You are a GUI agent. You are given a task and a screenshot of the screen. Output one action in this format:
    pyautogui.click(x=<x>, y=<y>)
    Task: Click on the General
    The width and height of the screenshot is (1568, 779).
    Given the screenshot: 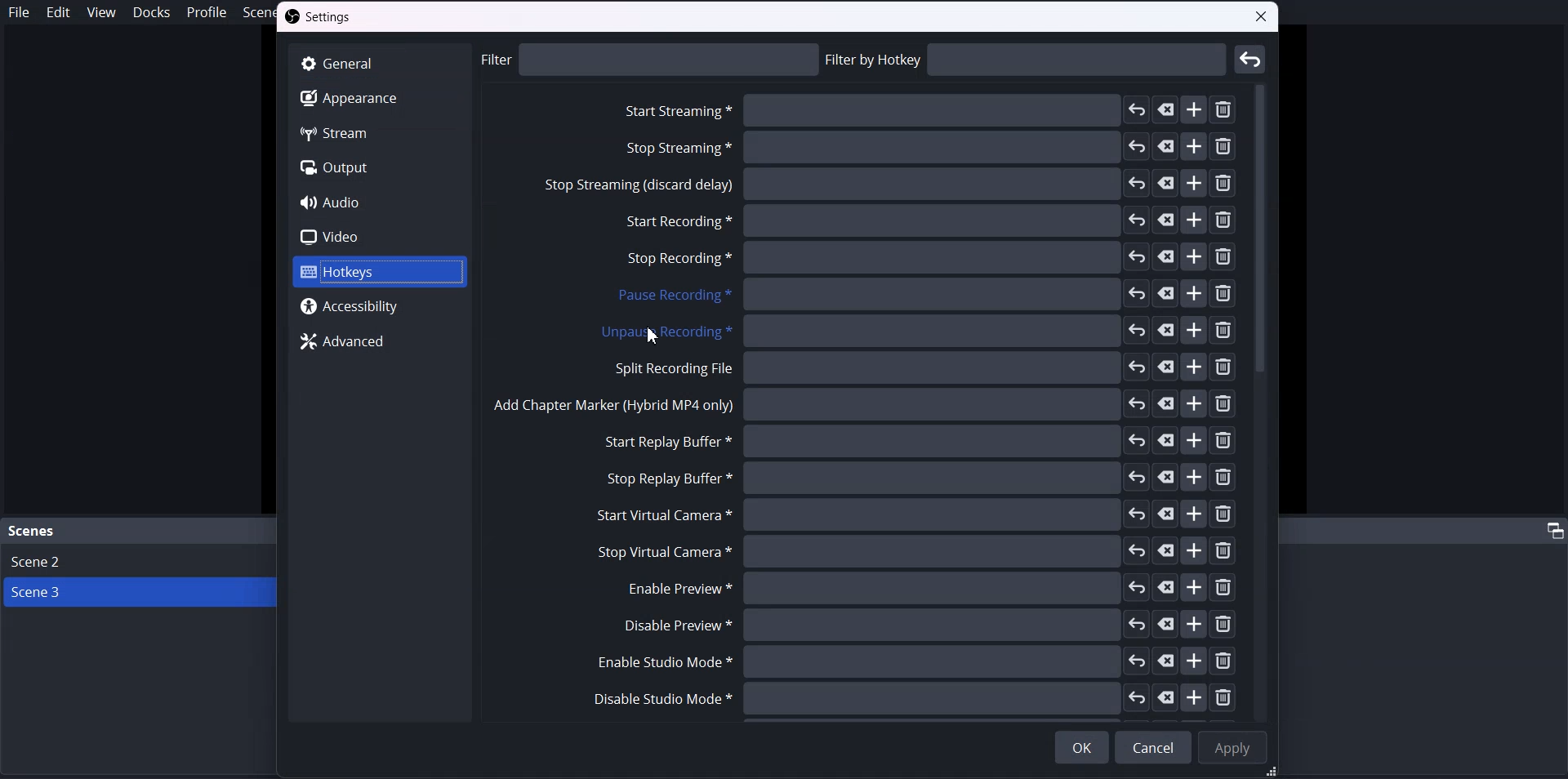 What is the action you would take?
    pyautogui.click(x=378, y=63)
    